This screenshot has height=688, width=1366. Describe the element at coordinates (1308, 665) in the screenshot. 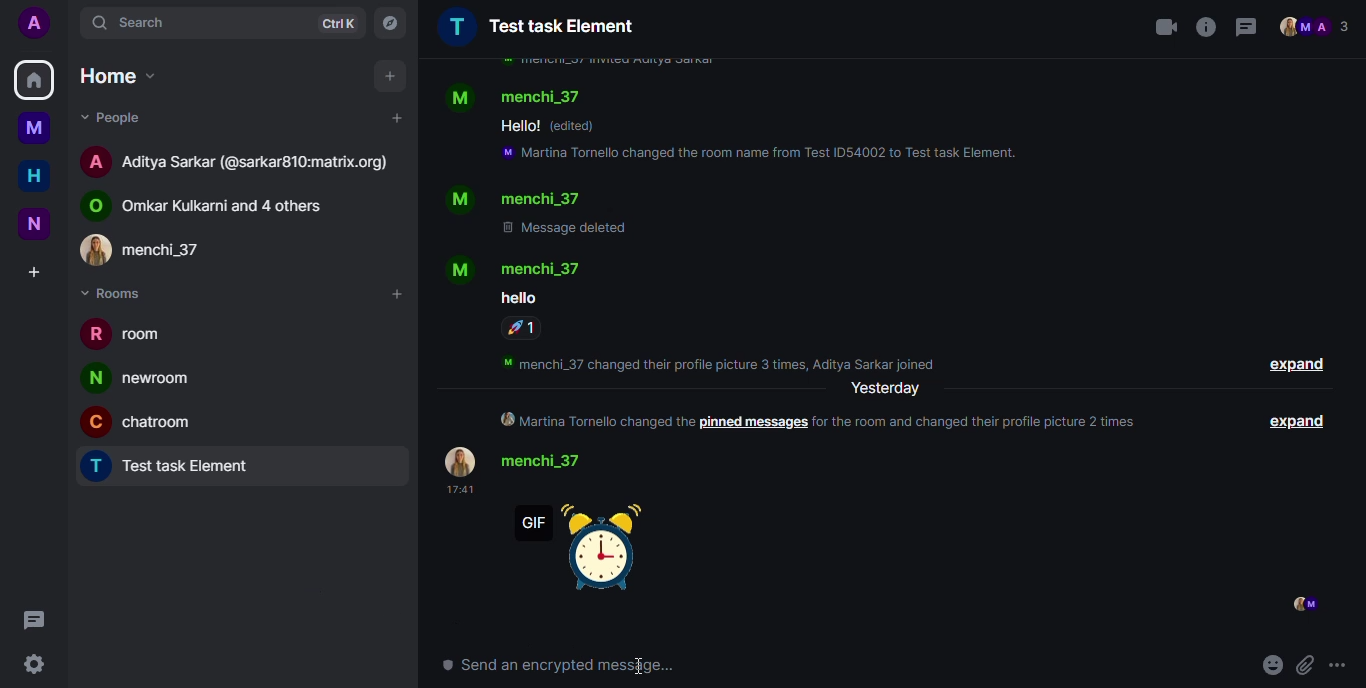

I see `attach` at that location.